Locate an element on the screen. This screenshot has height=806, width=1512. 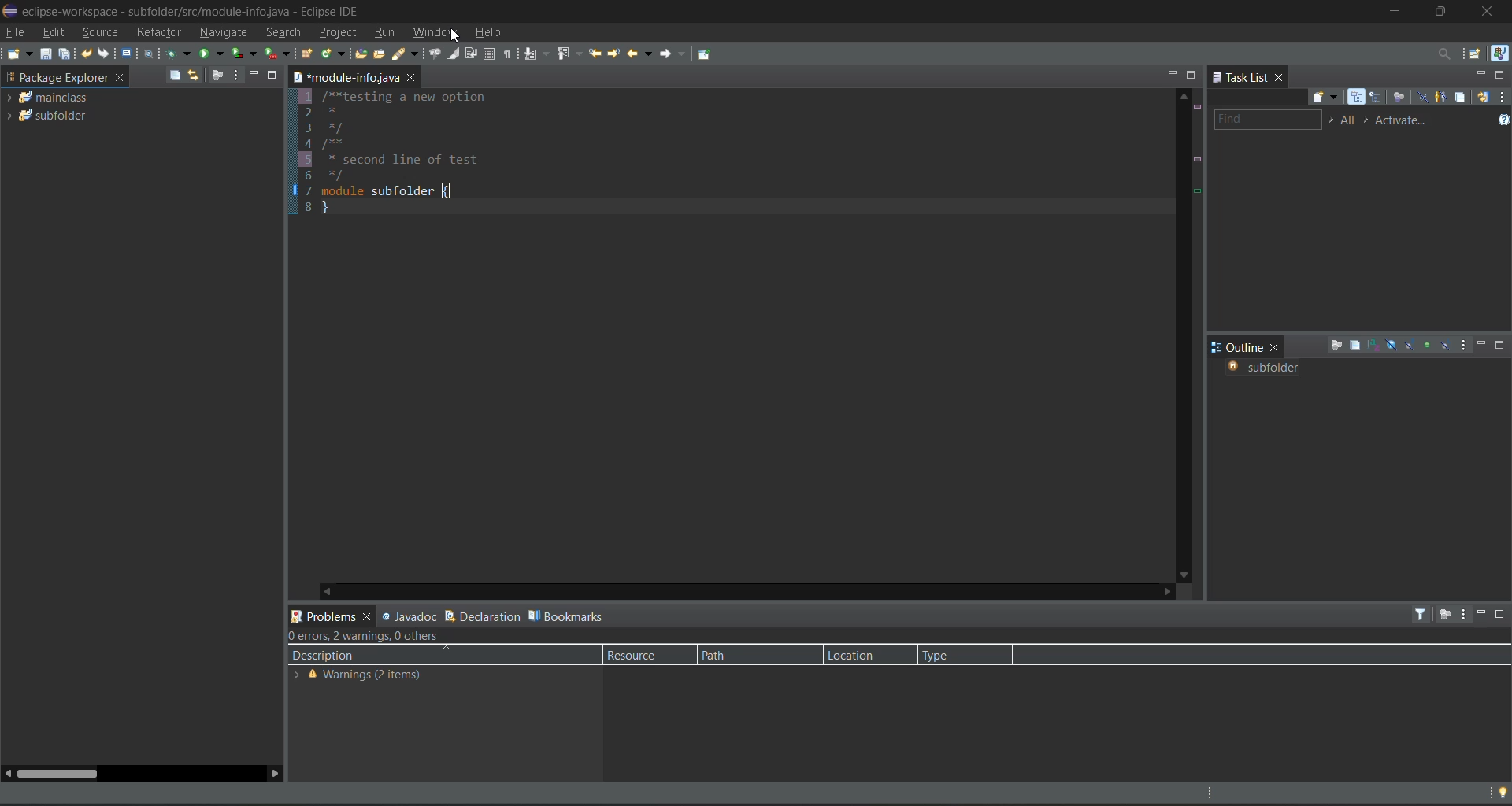
filters is located at coordinates (1423, 614).